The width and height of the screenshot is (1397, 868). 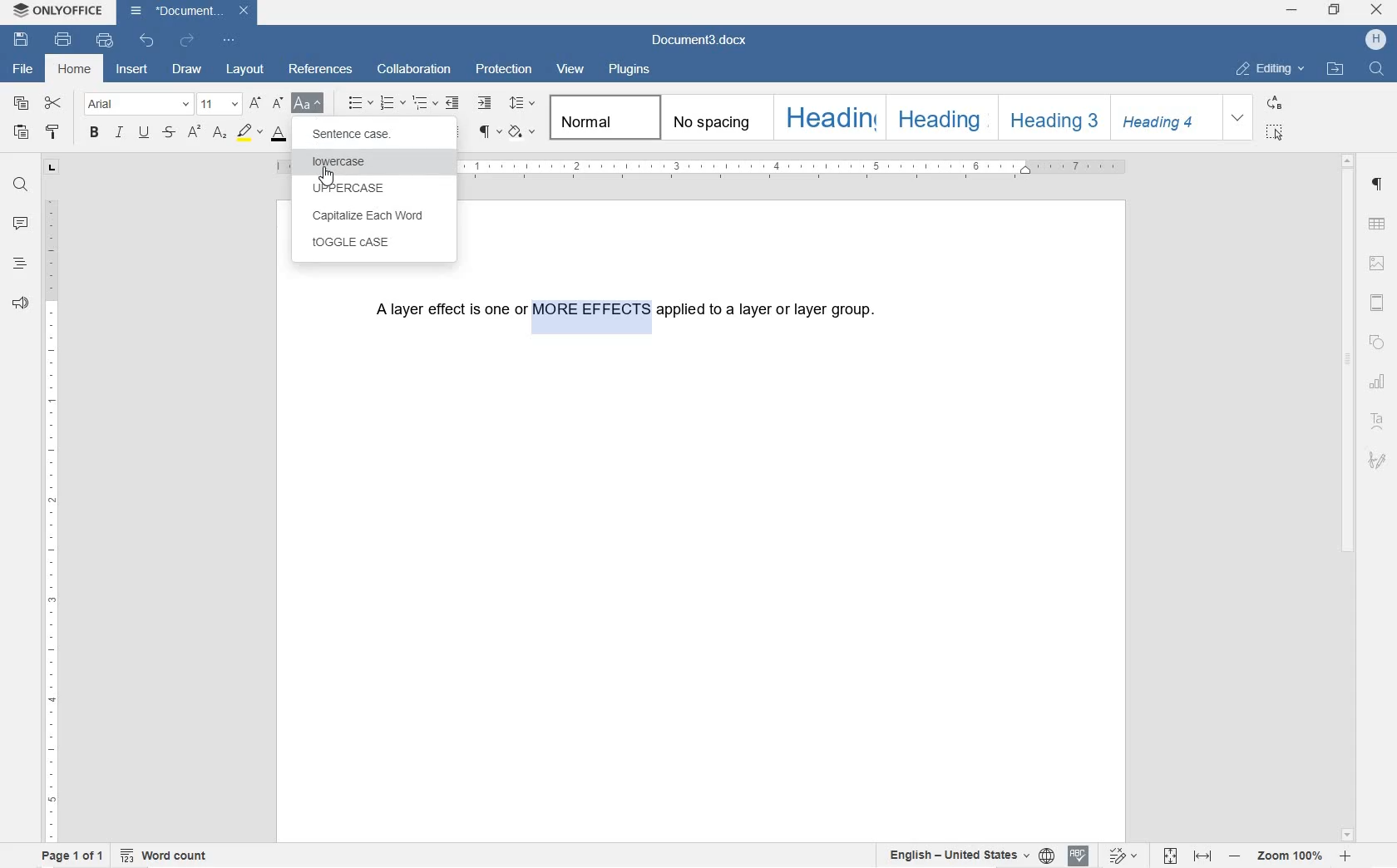 I want to click on TEXT ART, so click(x=1379, y=420).